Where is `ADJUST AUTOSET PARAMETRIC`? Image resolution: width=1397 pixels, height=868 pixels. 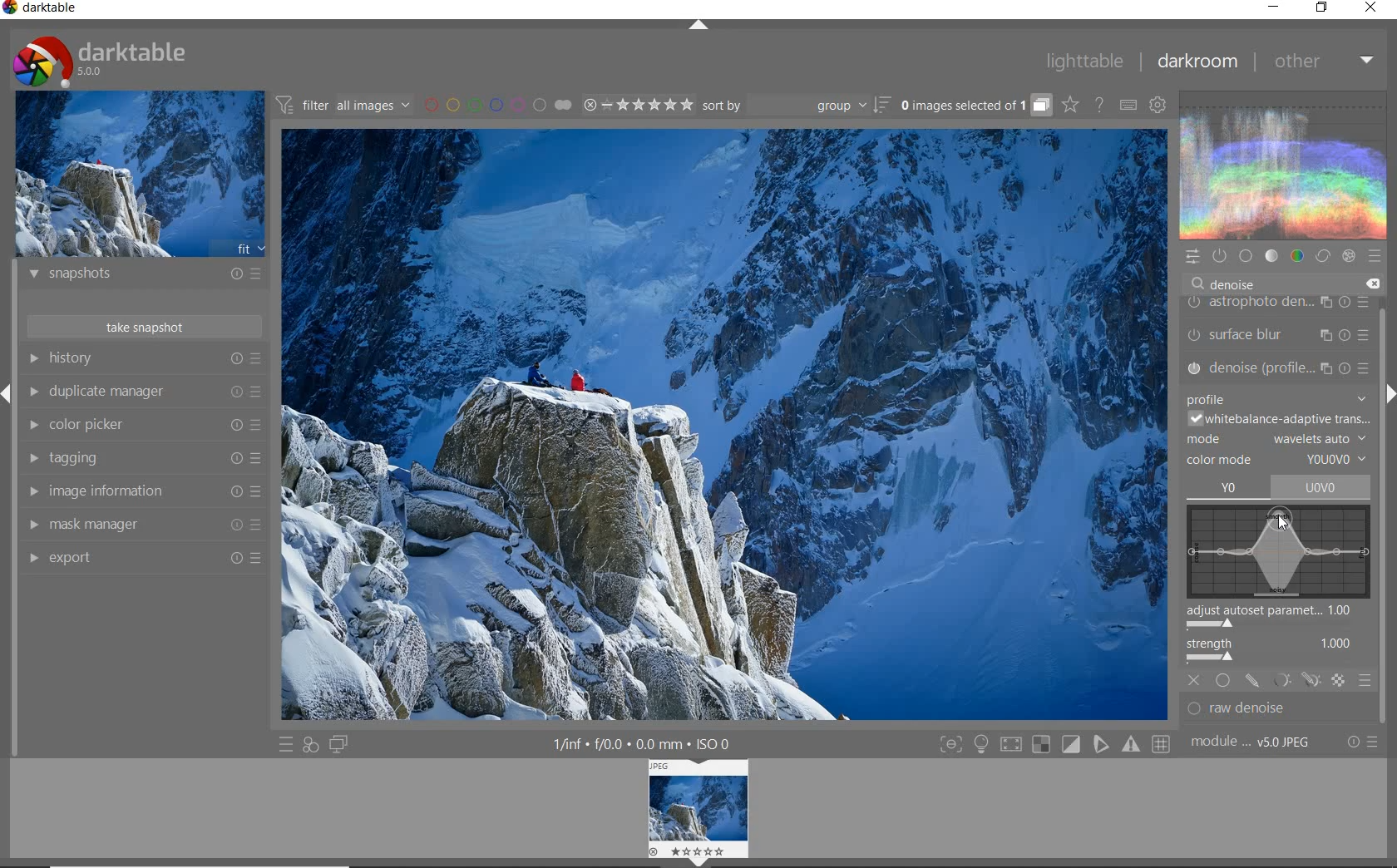 ADJUST AUTOSET PARAMETRIC is located at coordinates (1278, 619).